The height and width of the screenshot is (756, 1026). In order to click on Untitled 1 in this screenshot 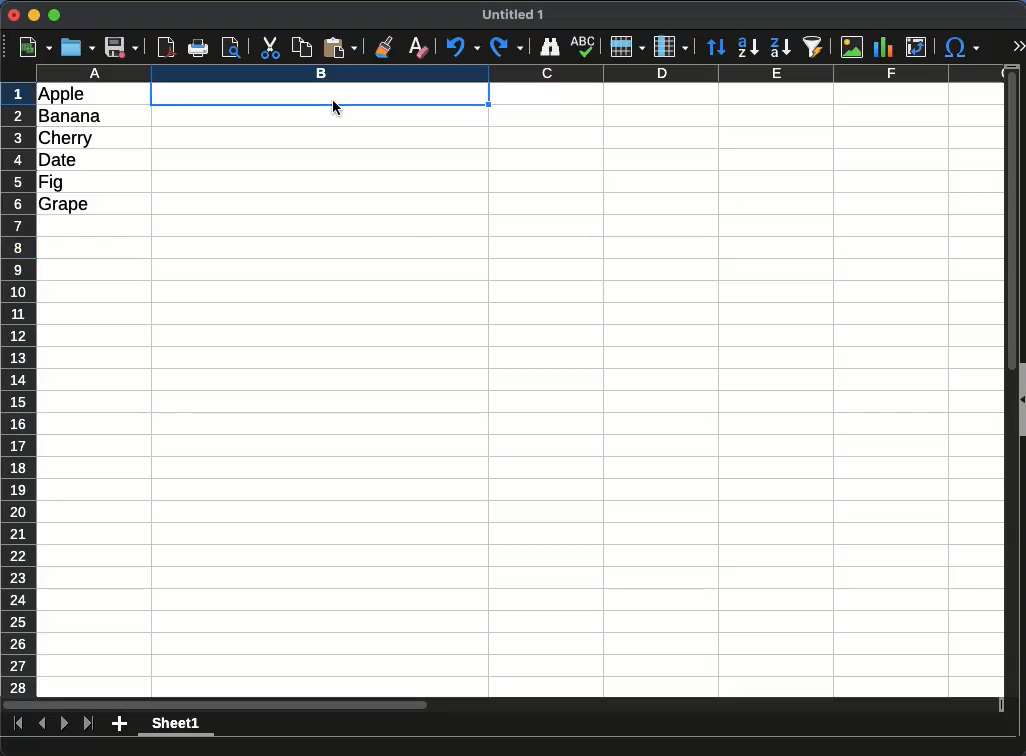, I will do `click(513, 14)`.